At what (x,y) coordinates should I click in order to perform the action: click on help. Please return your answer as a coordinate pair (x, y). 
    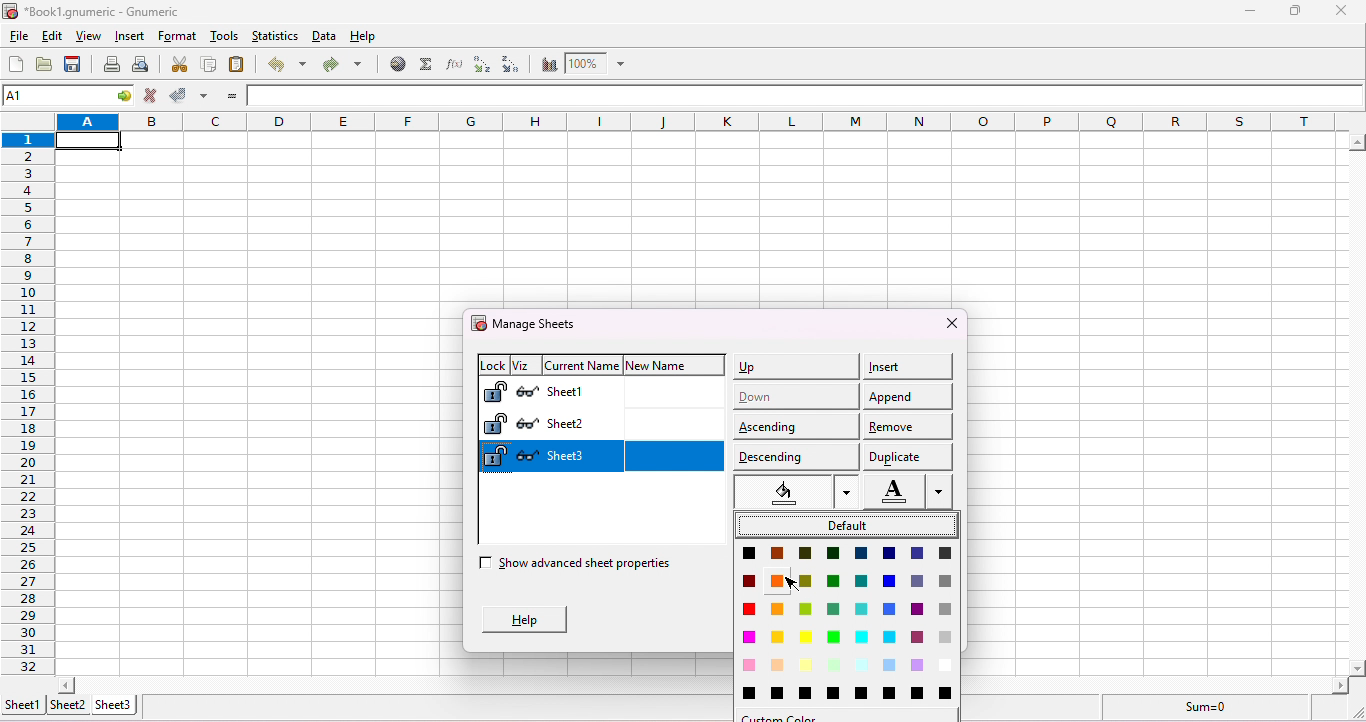
    Looking at the image, I should click on (365, 32).